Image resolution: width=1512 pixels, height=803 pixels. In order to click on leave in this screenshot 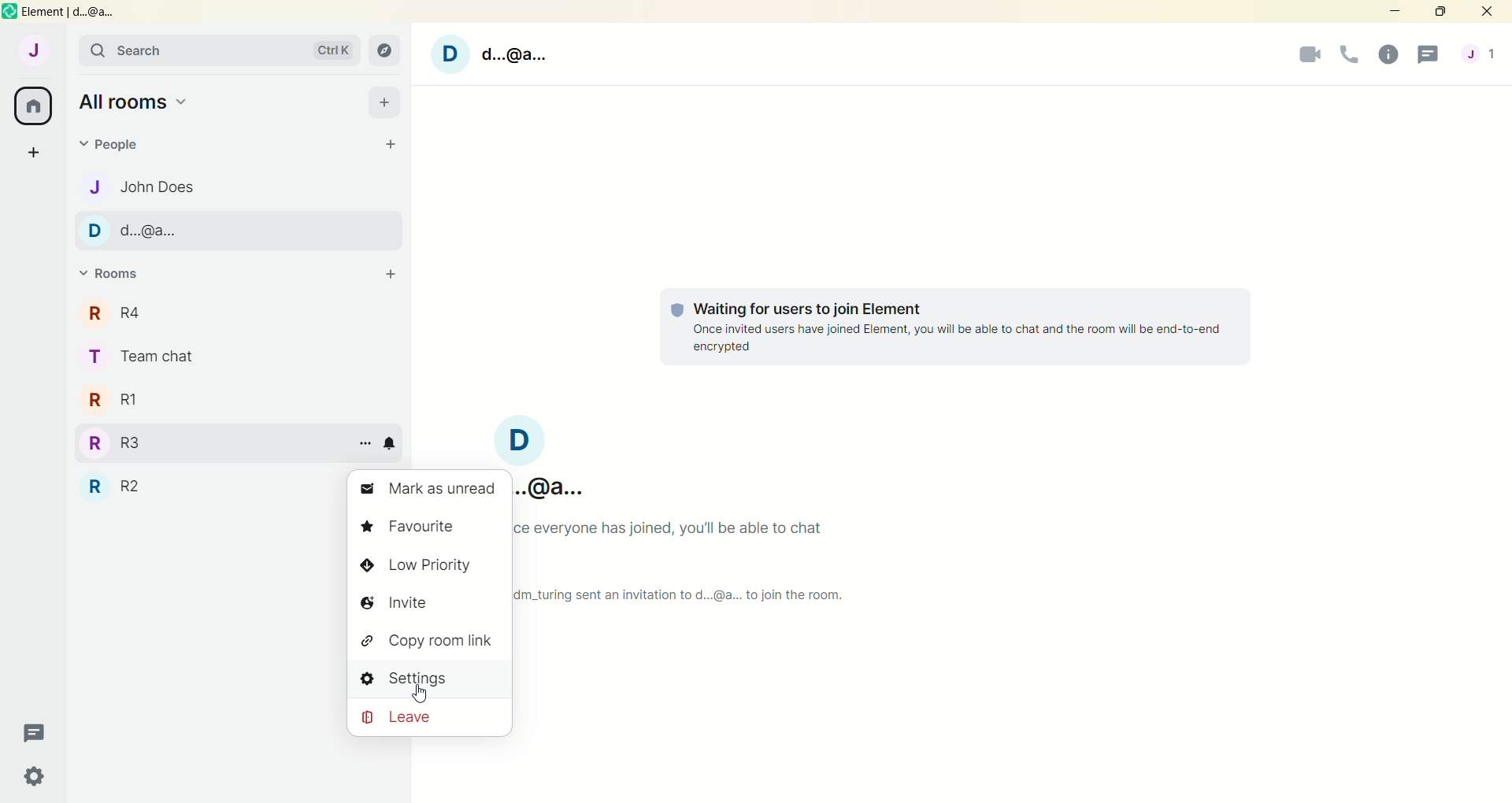, I will do `click(429, 716)`.